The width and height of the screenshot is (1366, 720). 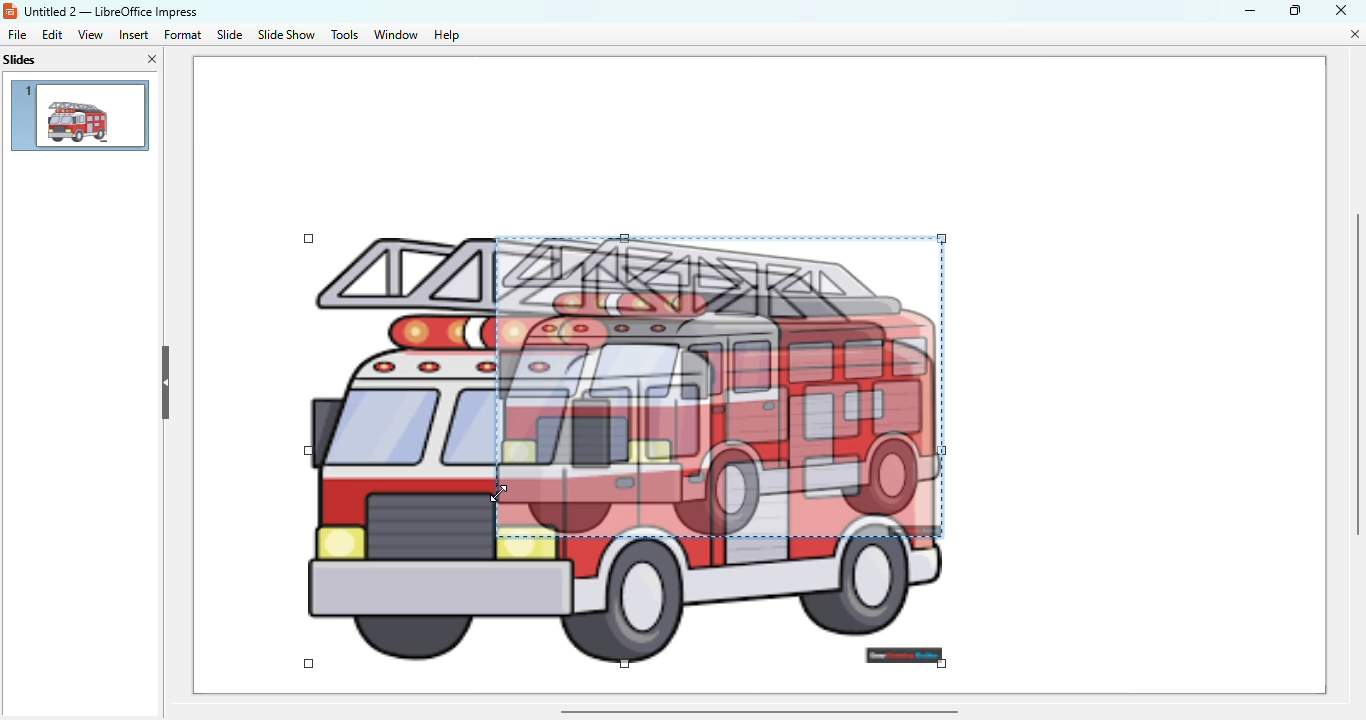 I want to click on hide, so click(x=166, y=384).